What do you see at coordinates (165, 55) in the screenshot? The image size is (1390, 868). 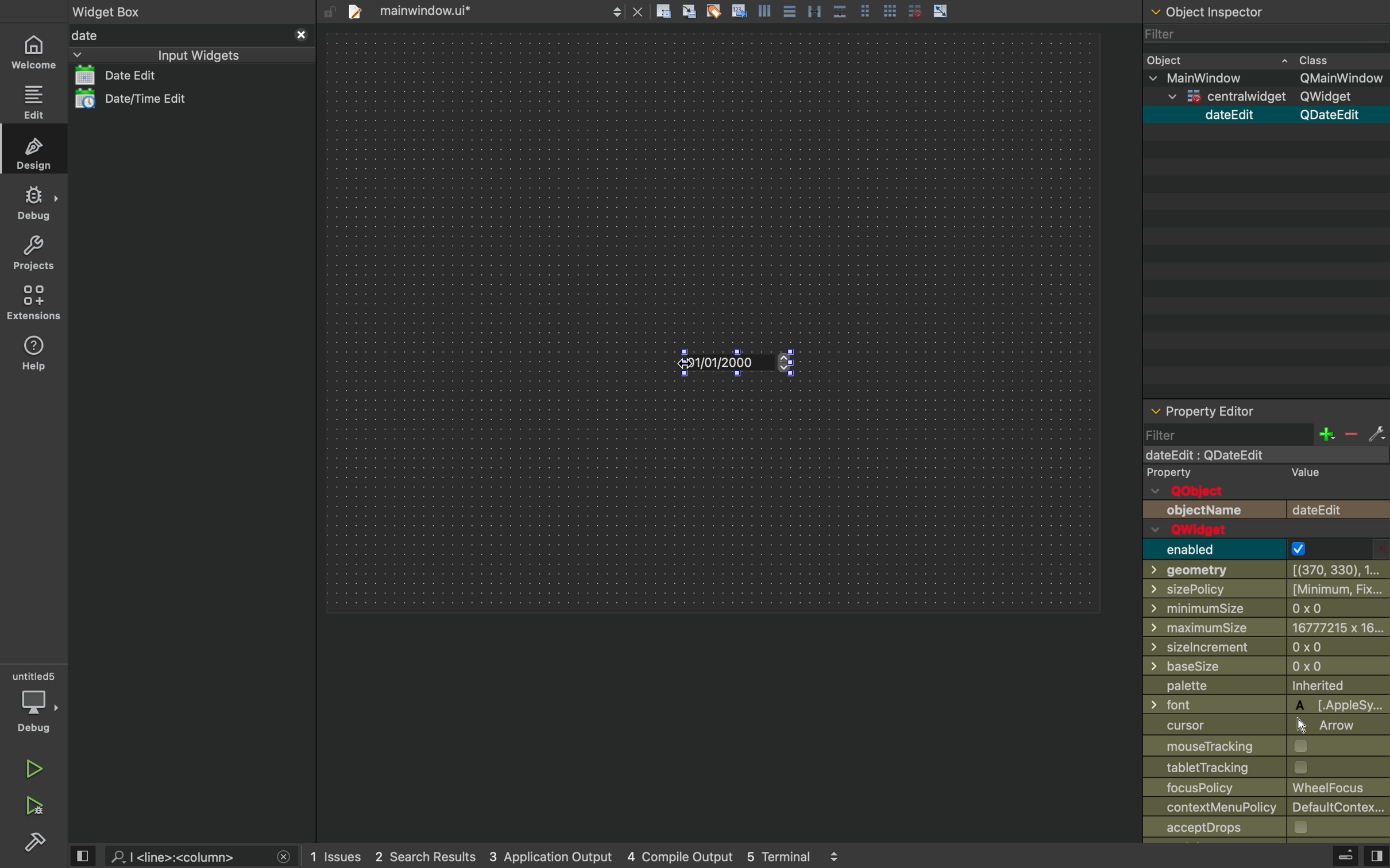 I see `input widgets` at bounding box center [165, 55].